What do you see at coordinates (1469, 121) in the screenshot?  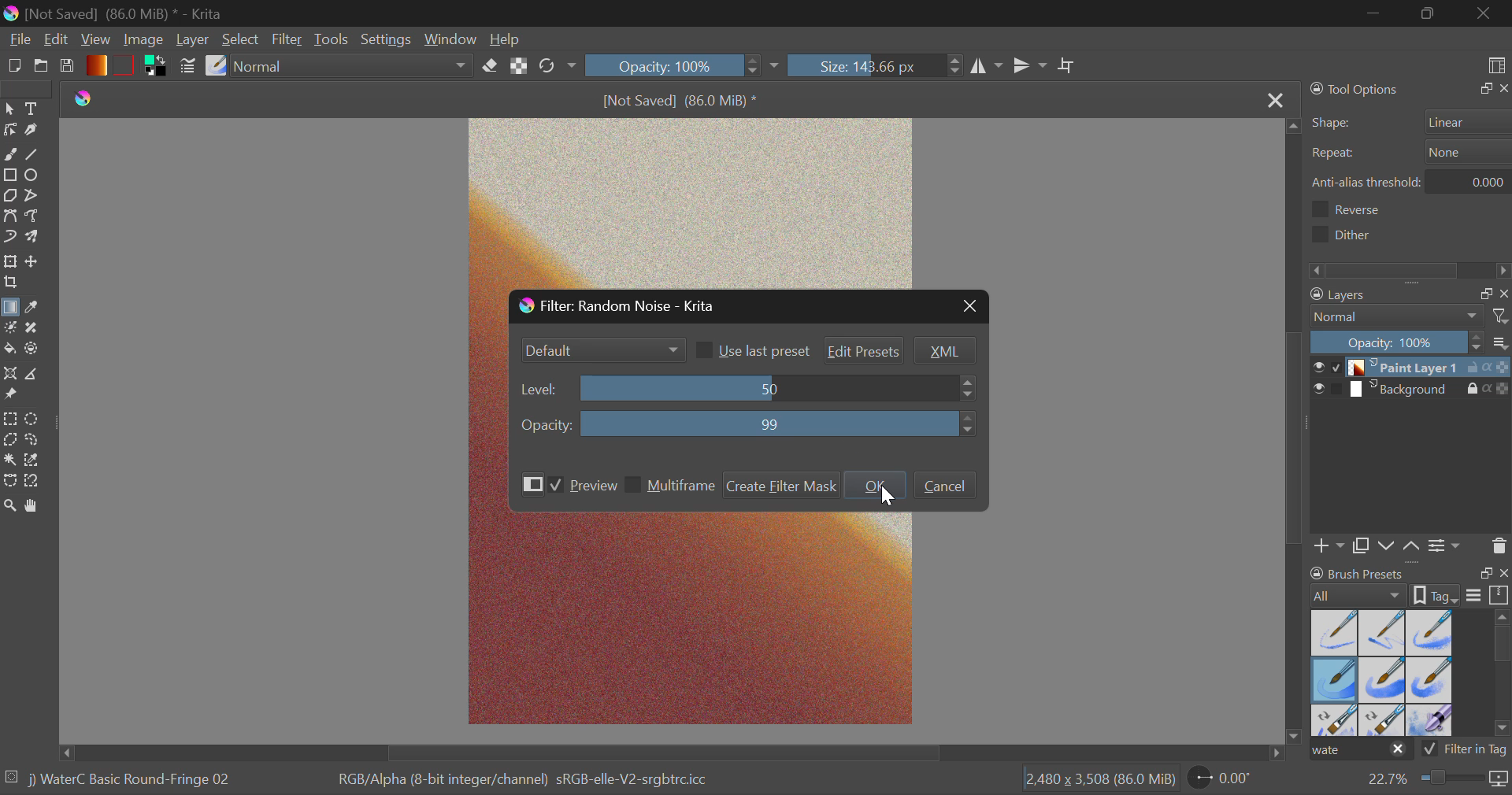 I see `Shape selector` at bounding box center [1469, 121].